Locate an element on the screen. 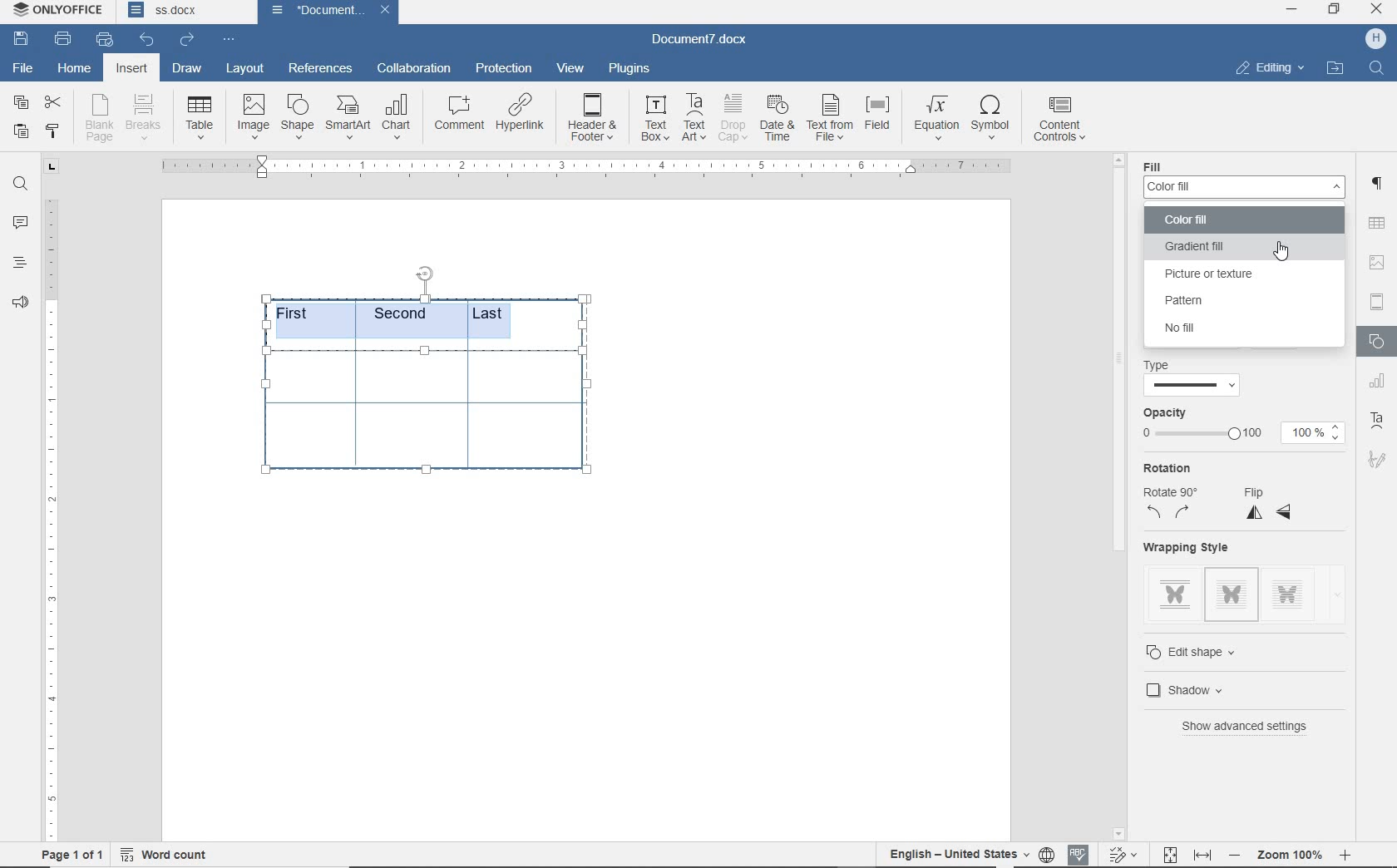 Image resolution: width=1397 pixels, height=868 pixels. scroll up is located at coordinates (1117, 160).